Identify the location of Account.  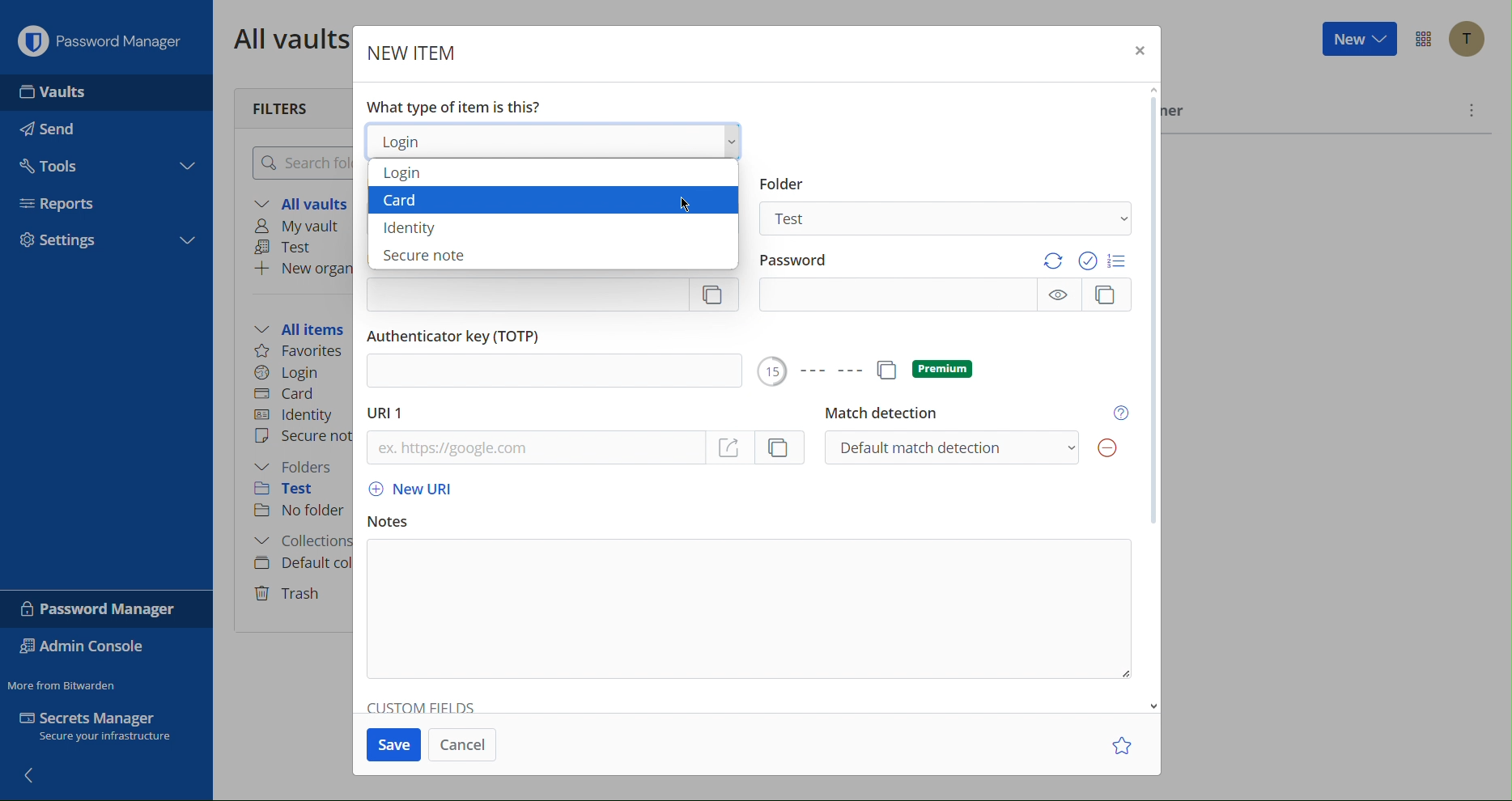
(1468, 39).